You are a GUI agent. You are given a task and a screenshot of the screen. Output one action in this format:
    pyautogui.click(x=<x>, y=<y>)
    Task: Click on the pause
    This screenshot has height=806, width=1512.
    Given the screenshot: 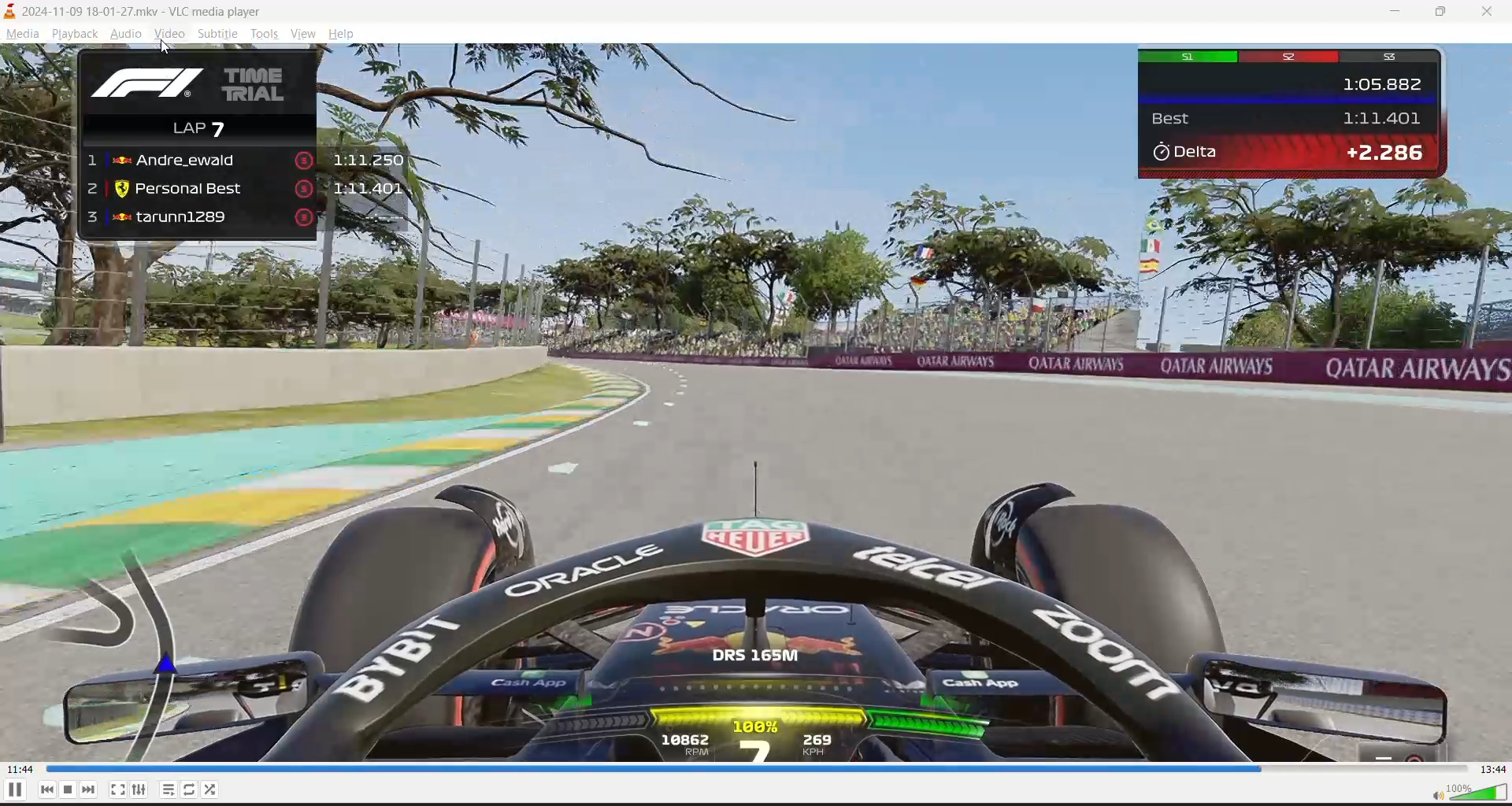 What is the action you would take?
    pyautogui.click(x=11, y=793)
    